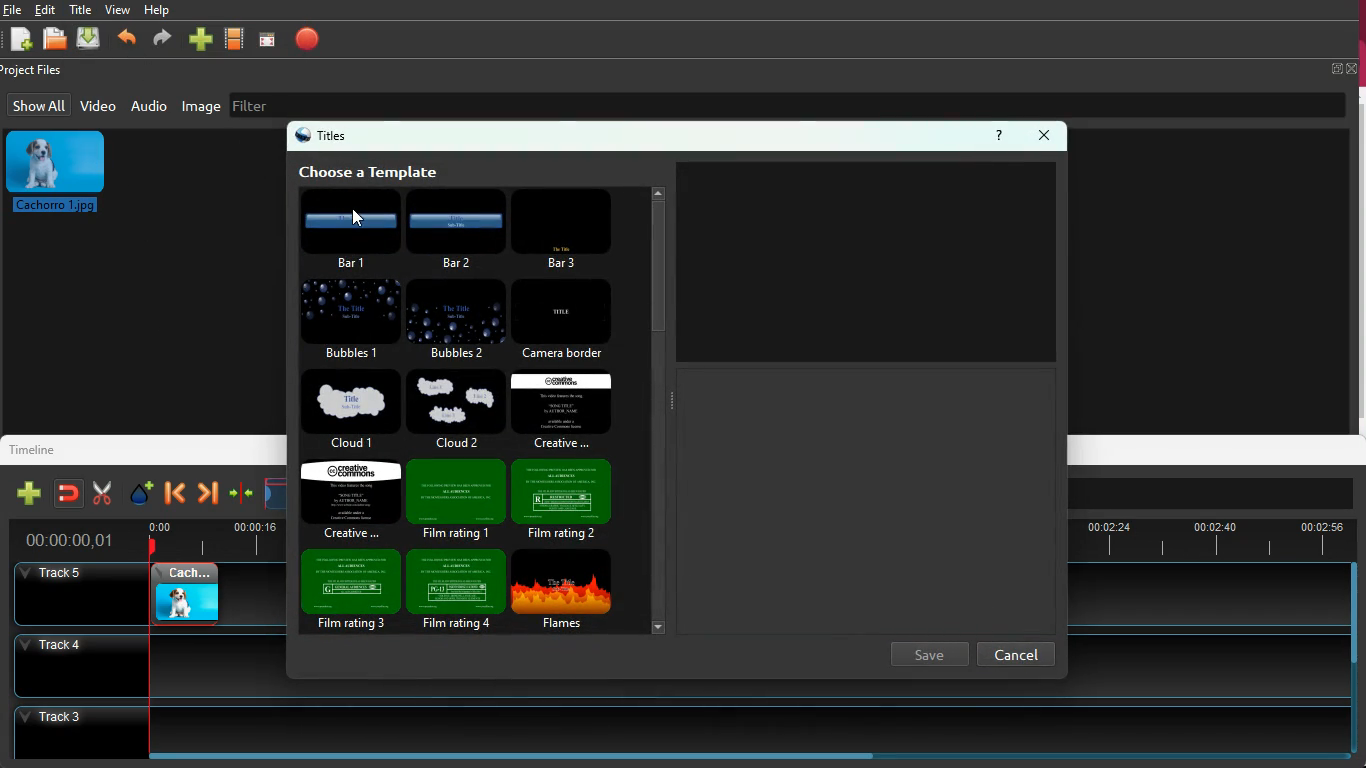 The height and width of the screenshot is (768, 1366). What do you see at coordinates (1210, 542) in the screenshot?
I see `` at bounding box center [1210, 542].